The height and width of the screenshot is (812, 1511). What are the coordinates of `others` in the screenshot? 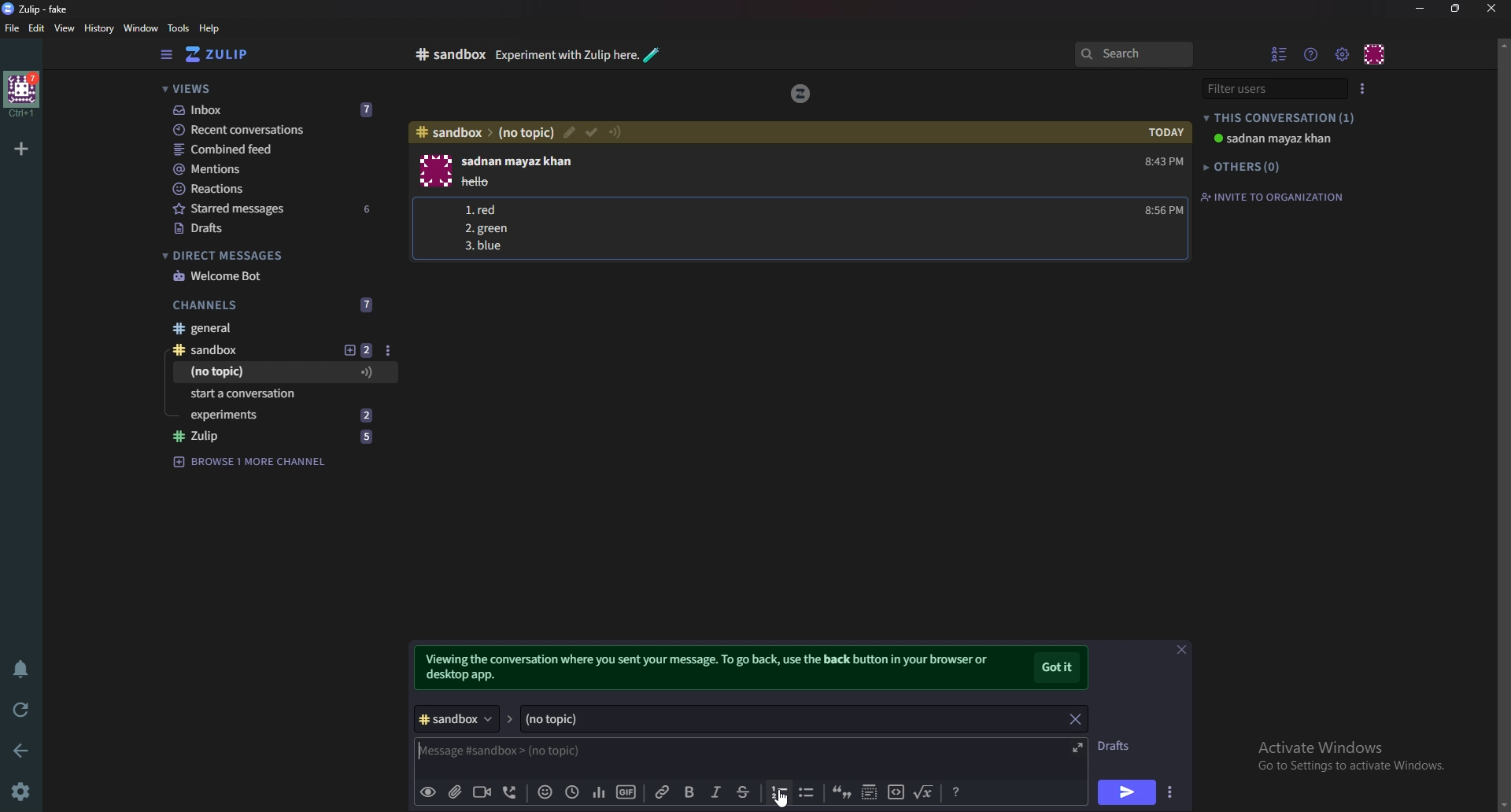 It's located at (1247, 166).